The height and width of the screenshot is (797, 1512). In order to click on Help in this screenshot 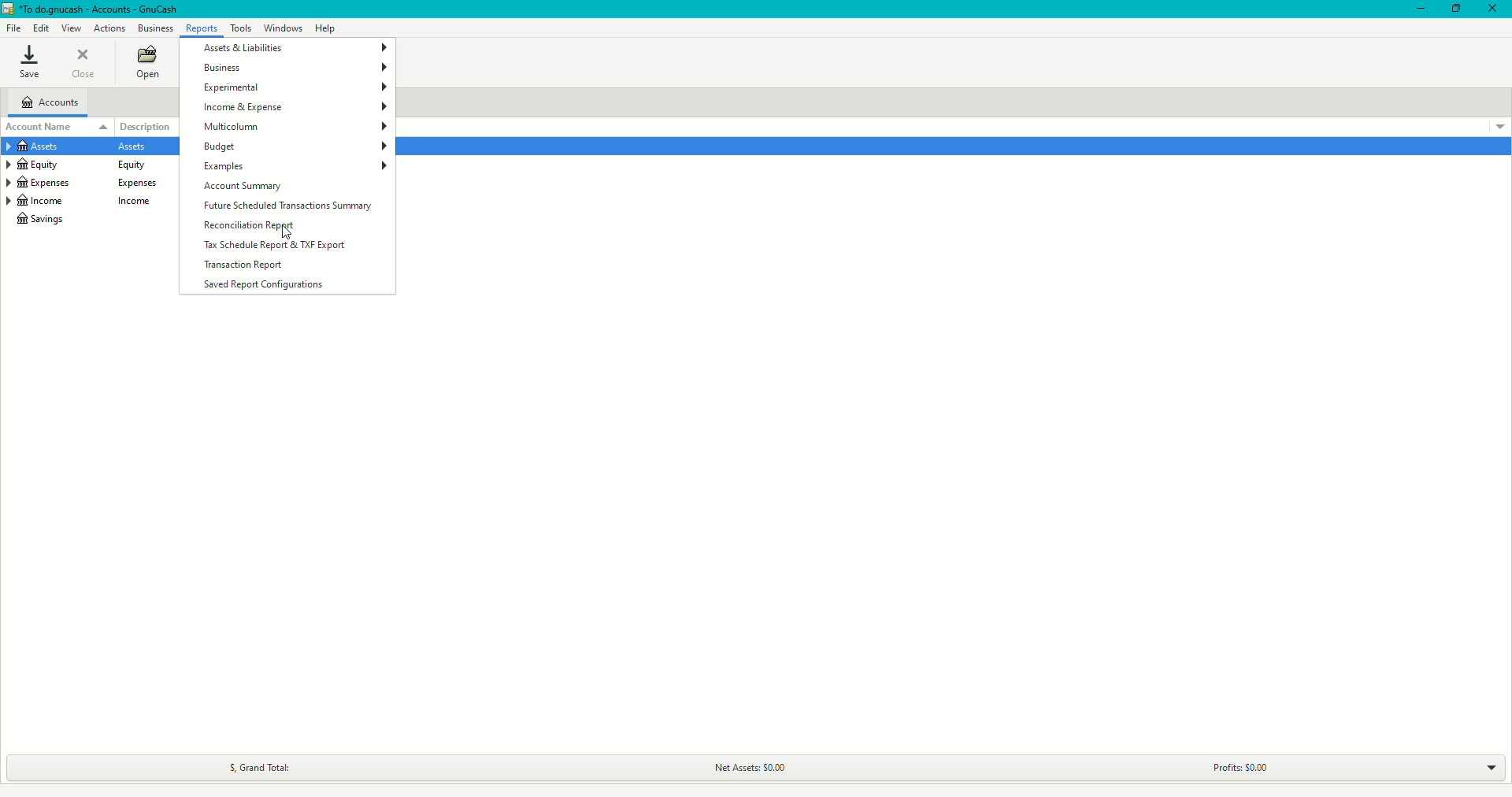, I will do `click(326, 28)`.